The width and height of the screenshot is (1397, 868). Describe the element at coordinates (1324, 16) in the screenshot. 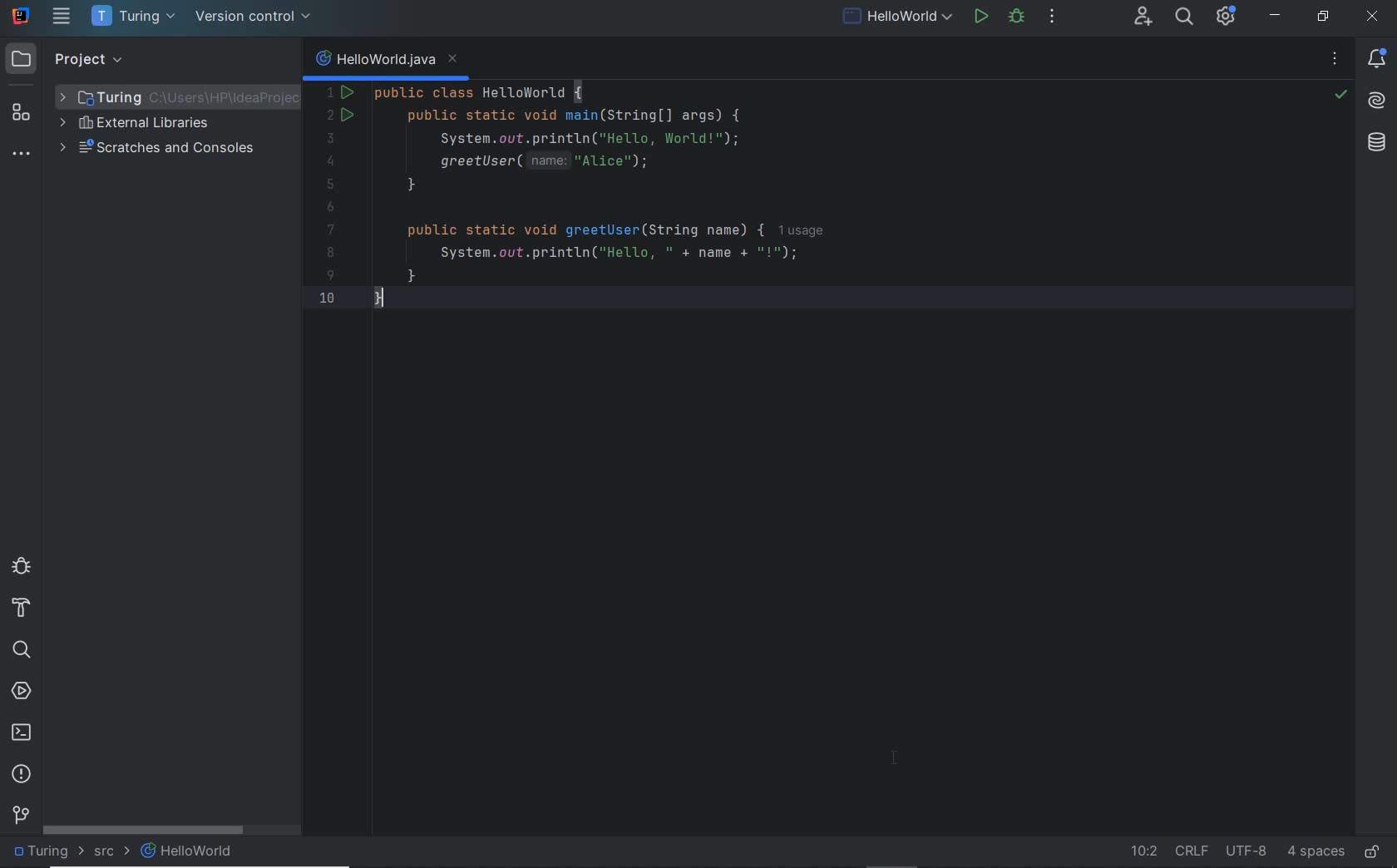

I see `RESTORE DOWN` at that location.